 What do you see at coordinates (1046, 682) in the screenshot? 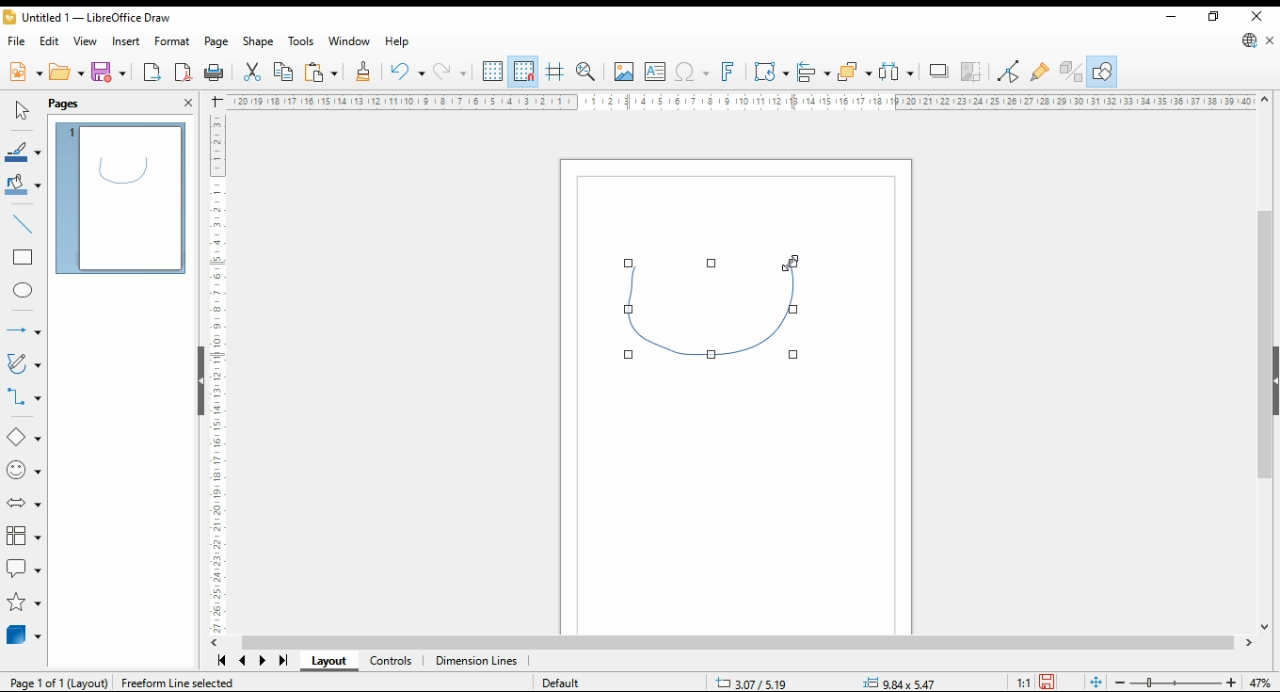
I see `save` at bounding box center [1046, 682].